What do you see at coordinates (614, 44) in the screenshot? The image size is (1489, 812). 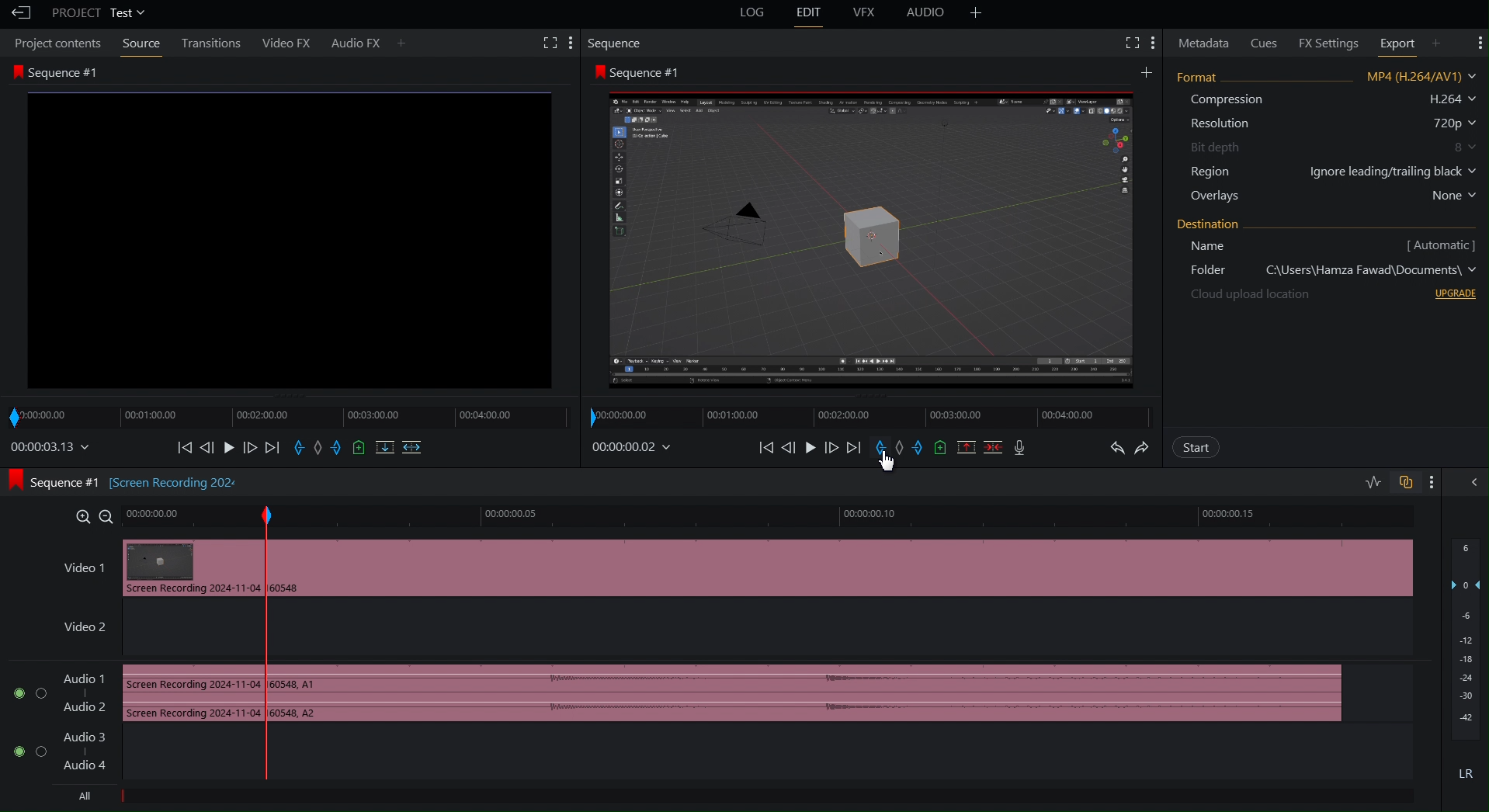 I see `Sequence` at bounding box center [614, 44].